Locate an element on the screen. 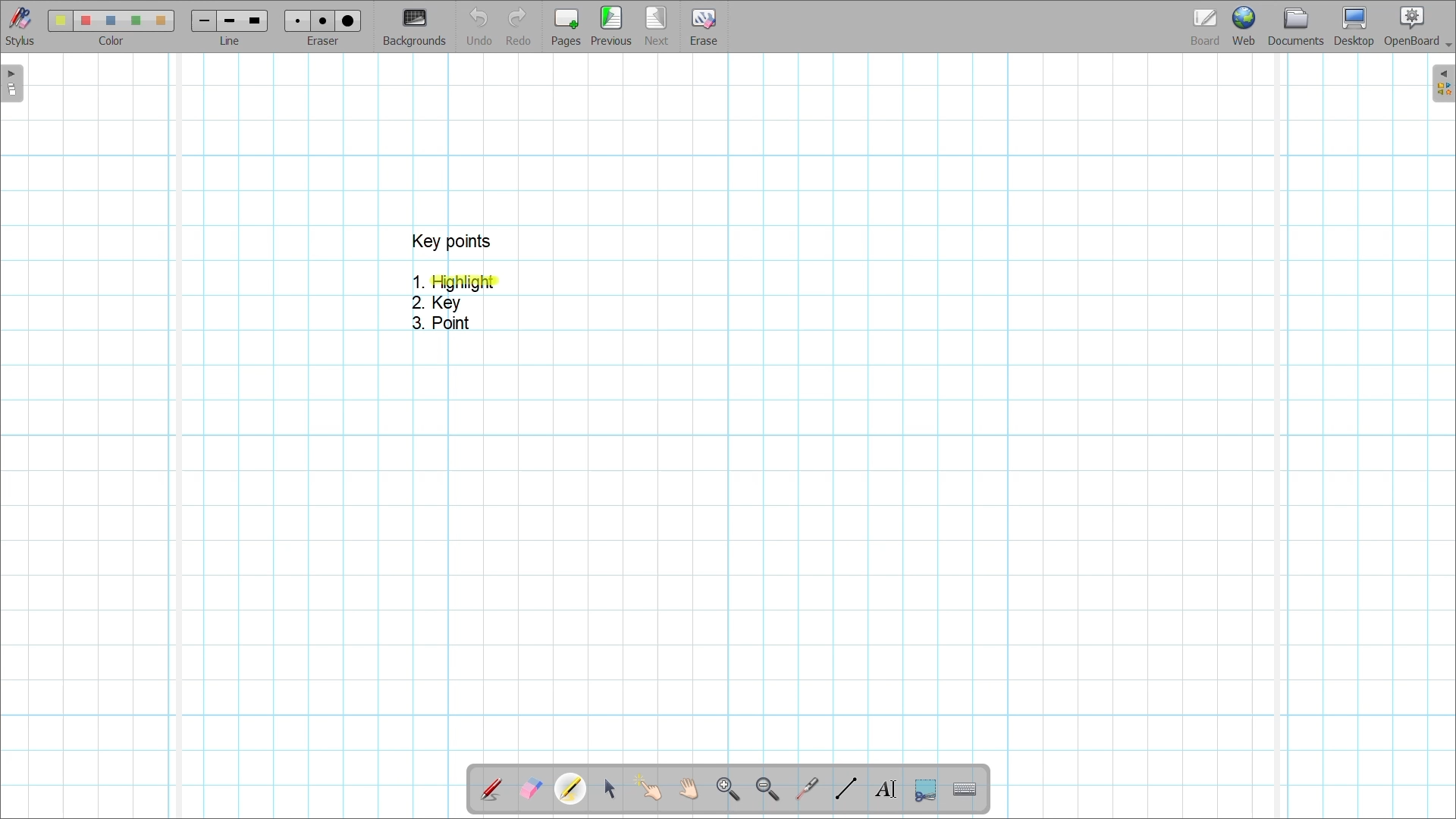 The height and width of the screenshot is (819, 1456). line is located at coordinates (234, 42).